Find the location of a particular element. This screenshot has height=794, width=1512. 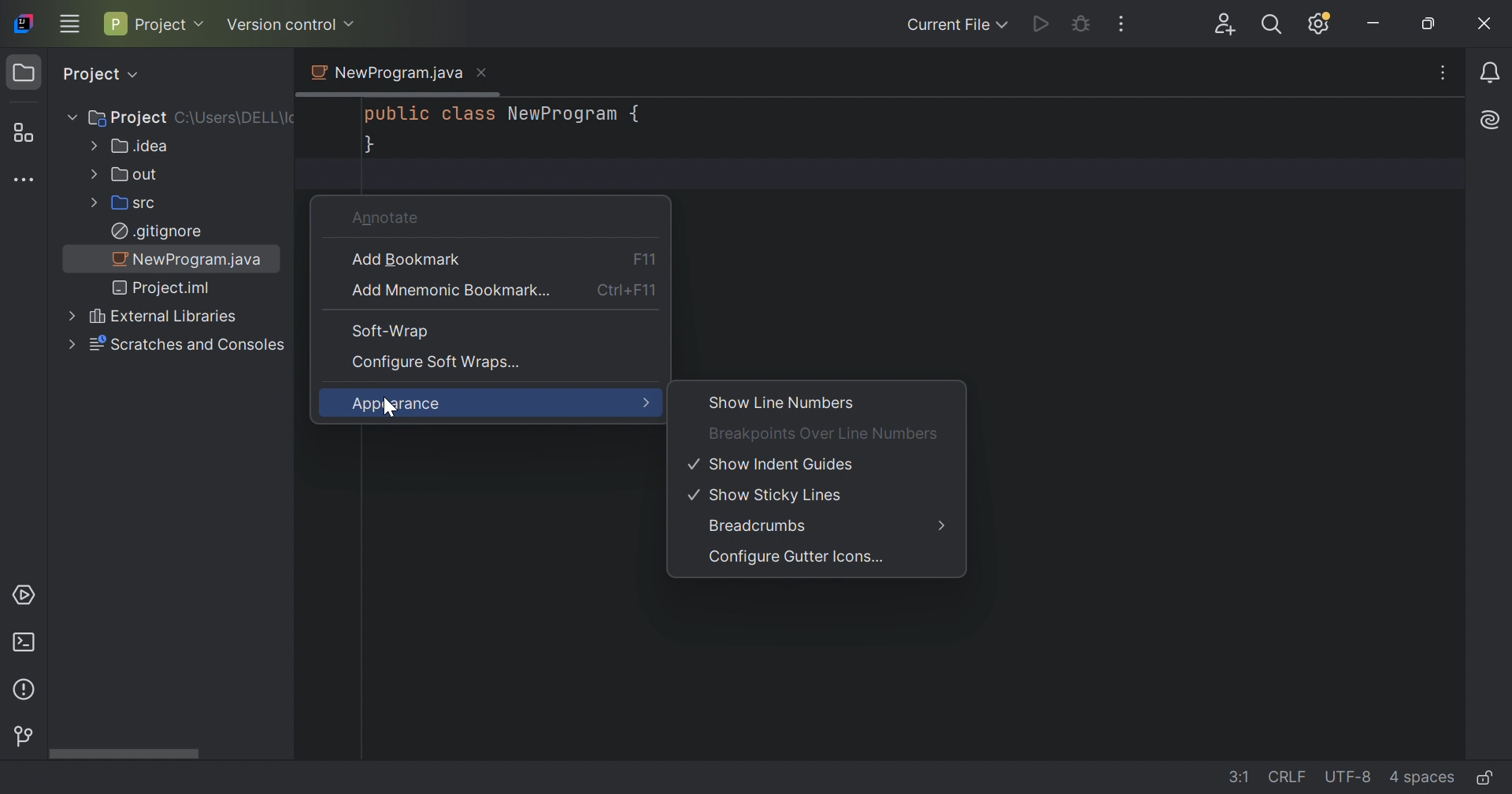

Add Bookmark is located at coordinates (408, 260).